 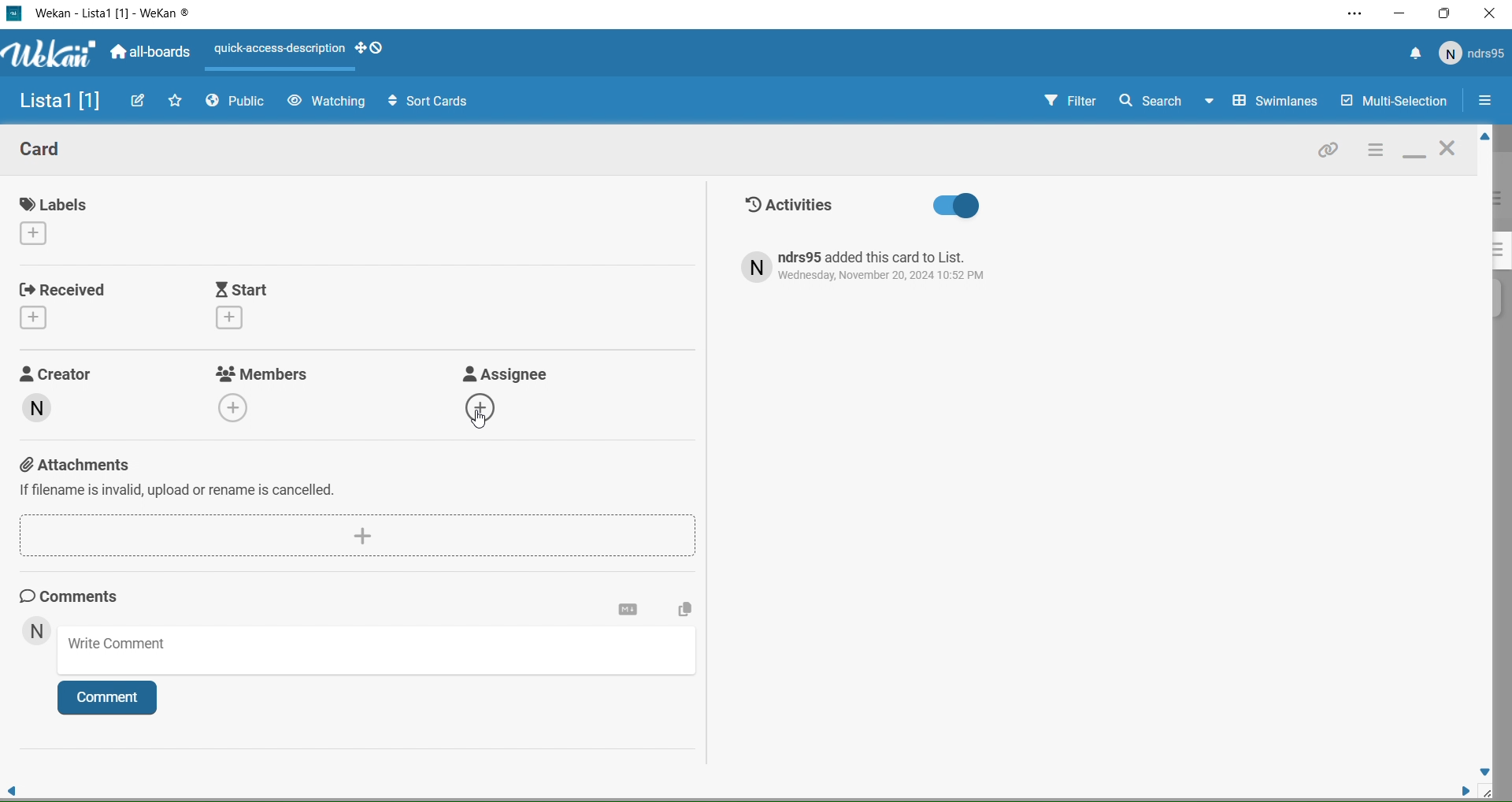 I want to click on move down, so click(x=1485, y=770).